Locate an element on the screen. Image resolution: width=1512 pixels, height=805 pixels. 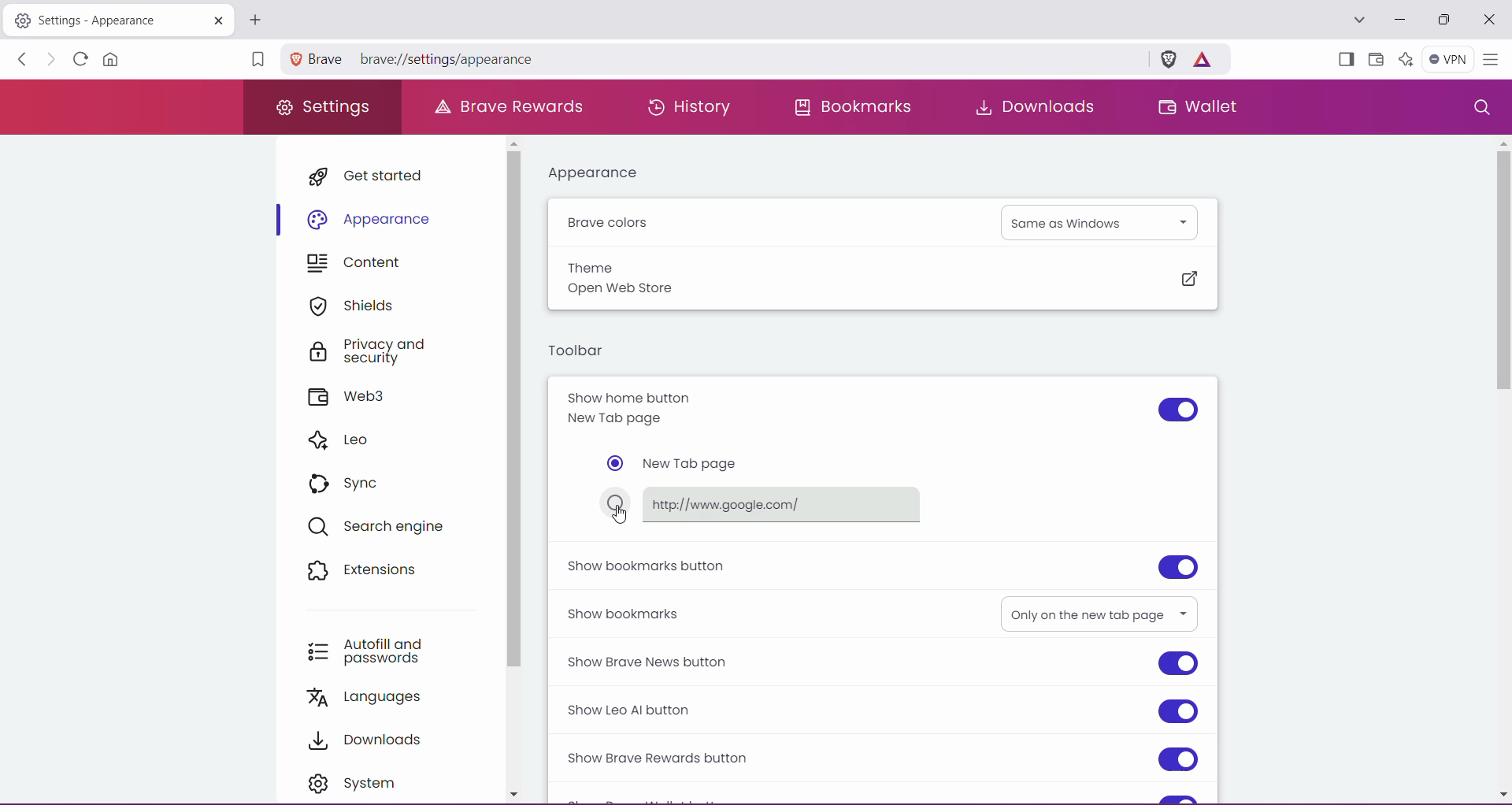
Downloads is located at coordinates (1030, 106).